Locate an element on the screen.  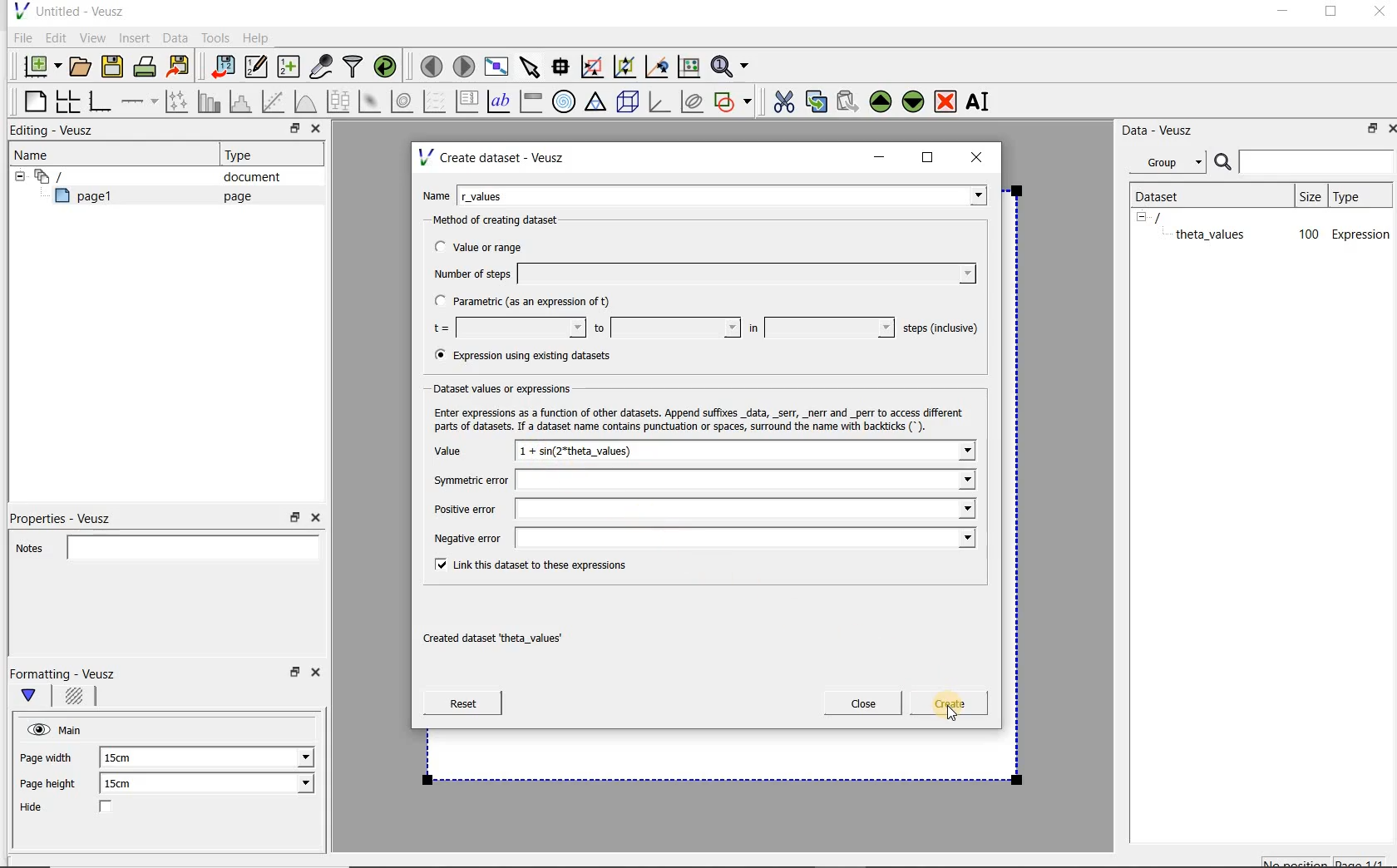
File is located at coordinates (20, 38).